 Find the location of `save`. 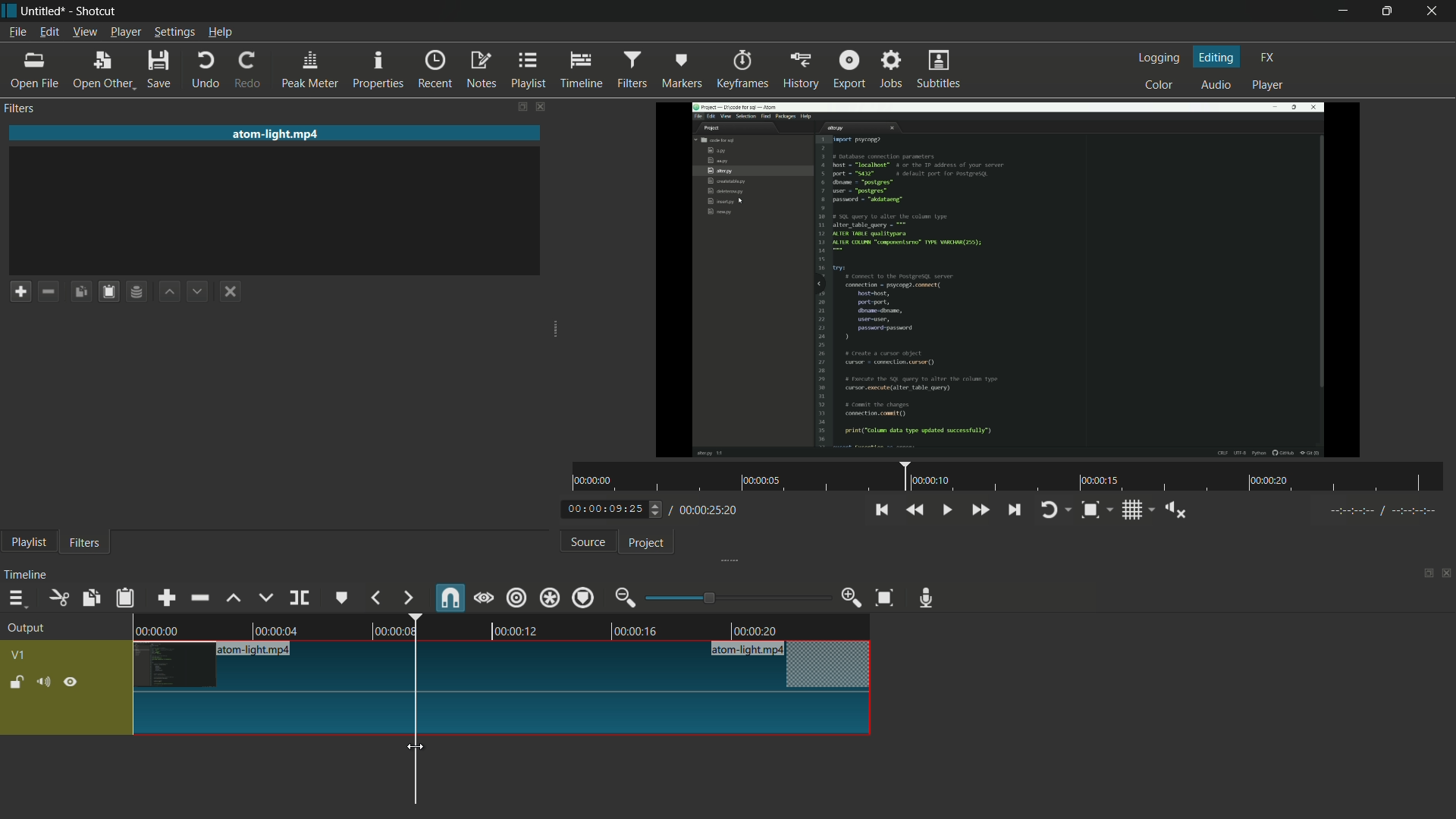

save is located at coordinates (160, 69).